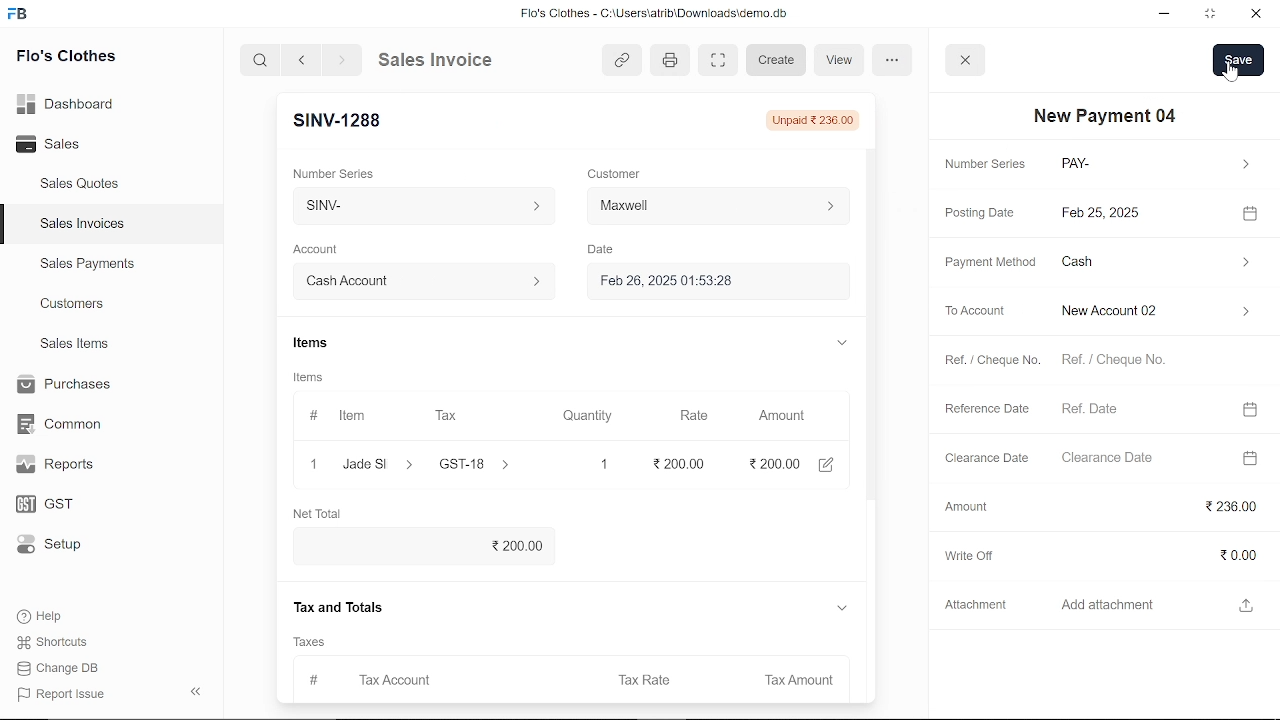 The height and width of the screenshot is (720, 1280). What do you see at coordinates (1139, 408) in the screenshot?
I see `ref date` at bounding box center [1139, 408].